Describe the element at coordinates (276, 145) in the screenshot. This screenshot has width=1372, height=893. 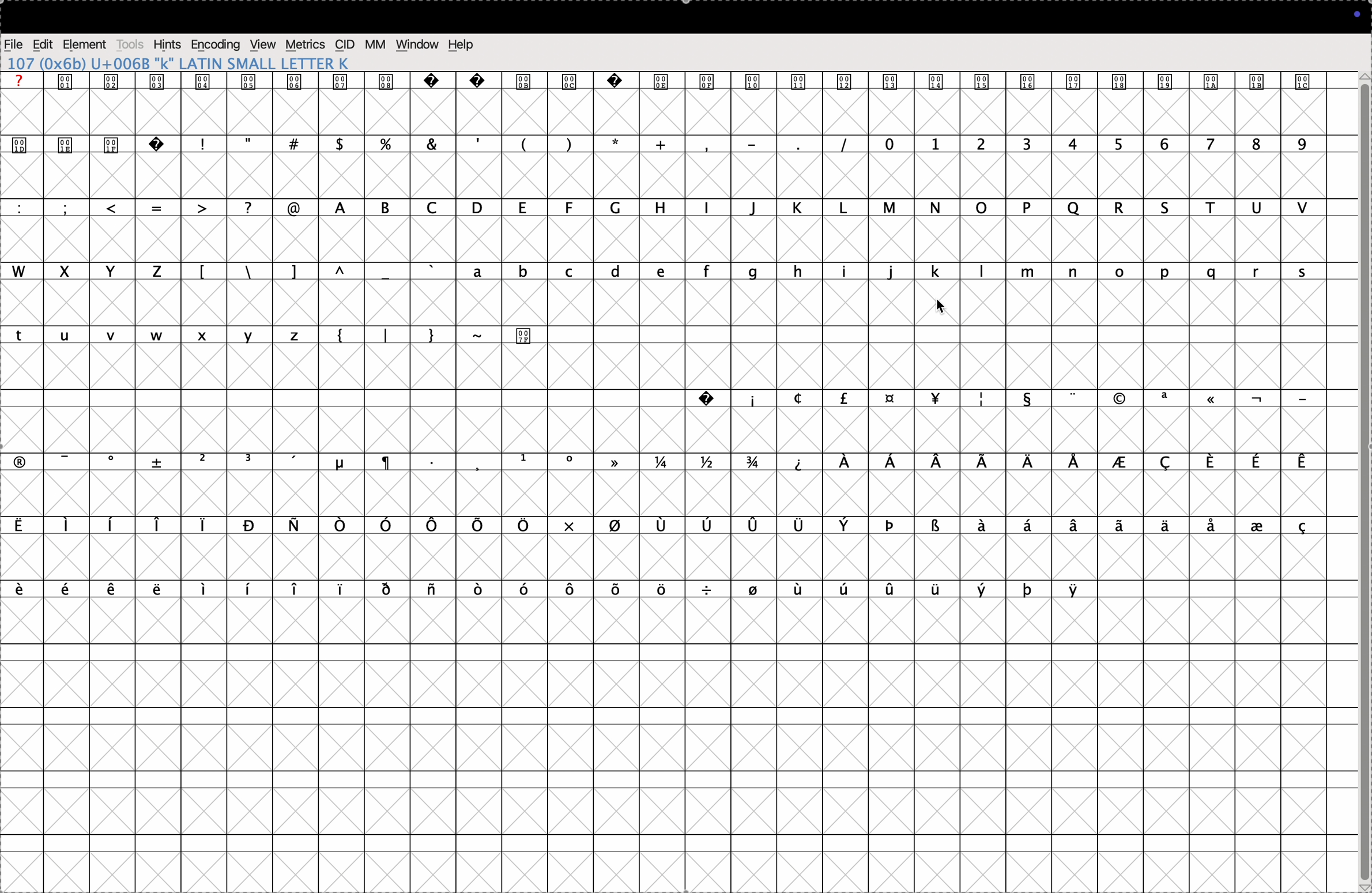
I see `special characters` at that location.